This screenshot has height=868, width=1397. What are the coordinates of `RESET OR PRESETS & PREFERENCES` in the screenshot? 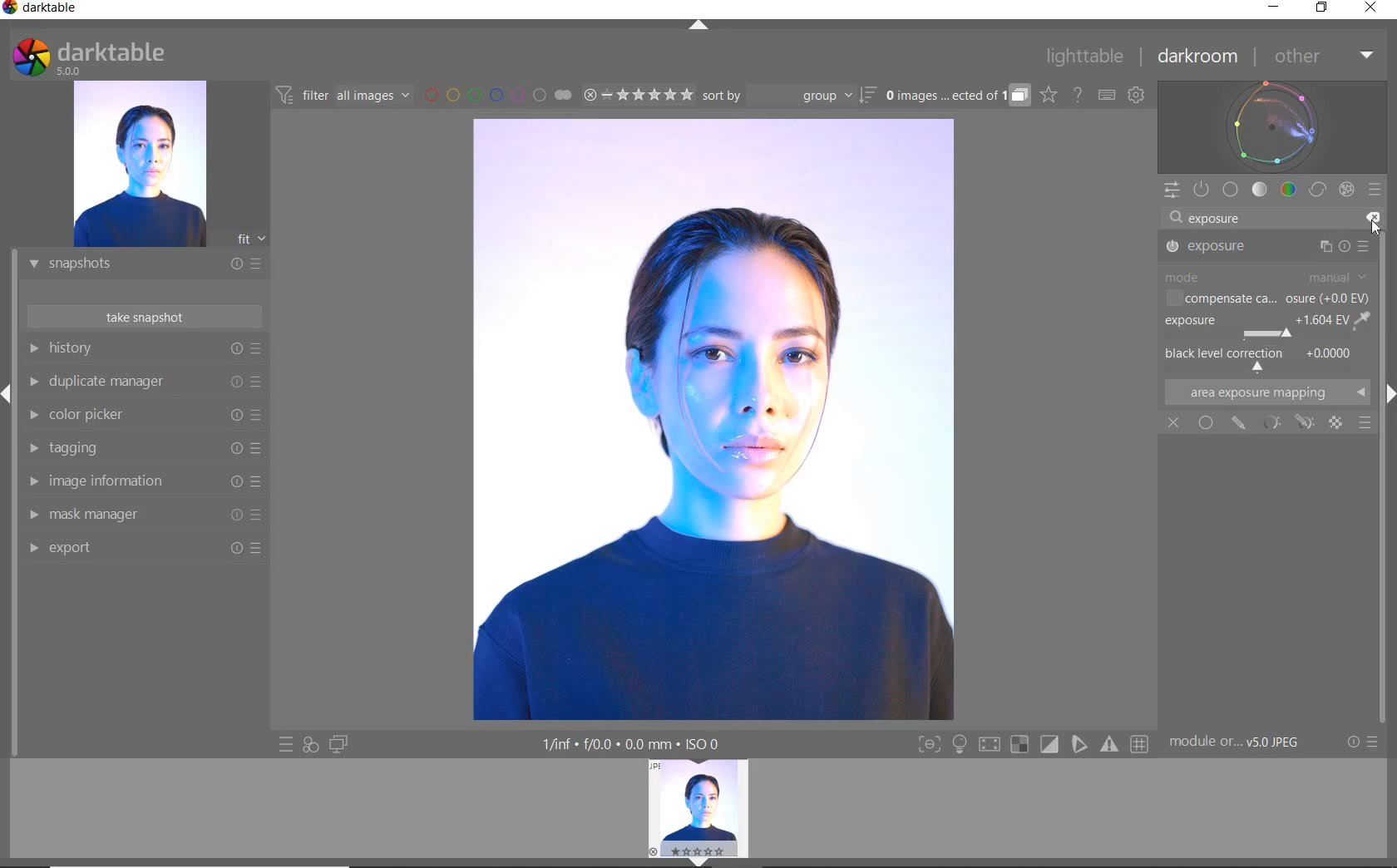 It's located at (1365, 742).